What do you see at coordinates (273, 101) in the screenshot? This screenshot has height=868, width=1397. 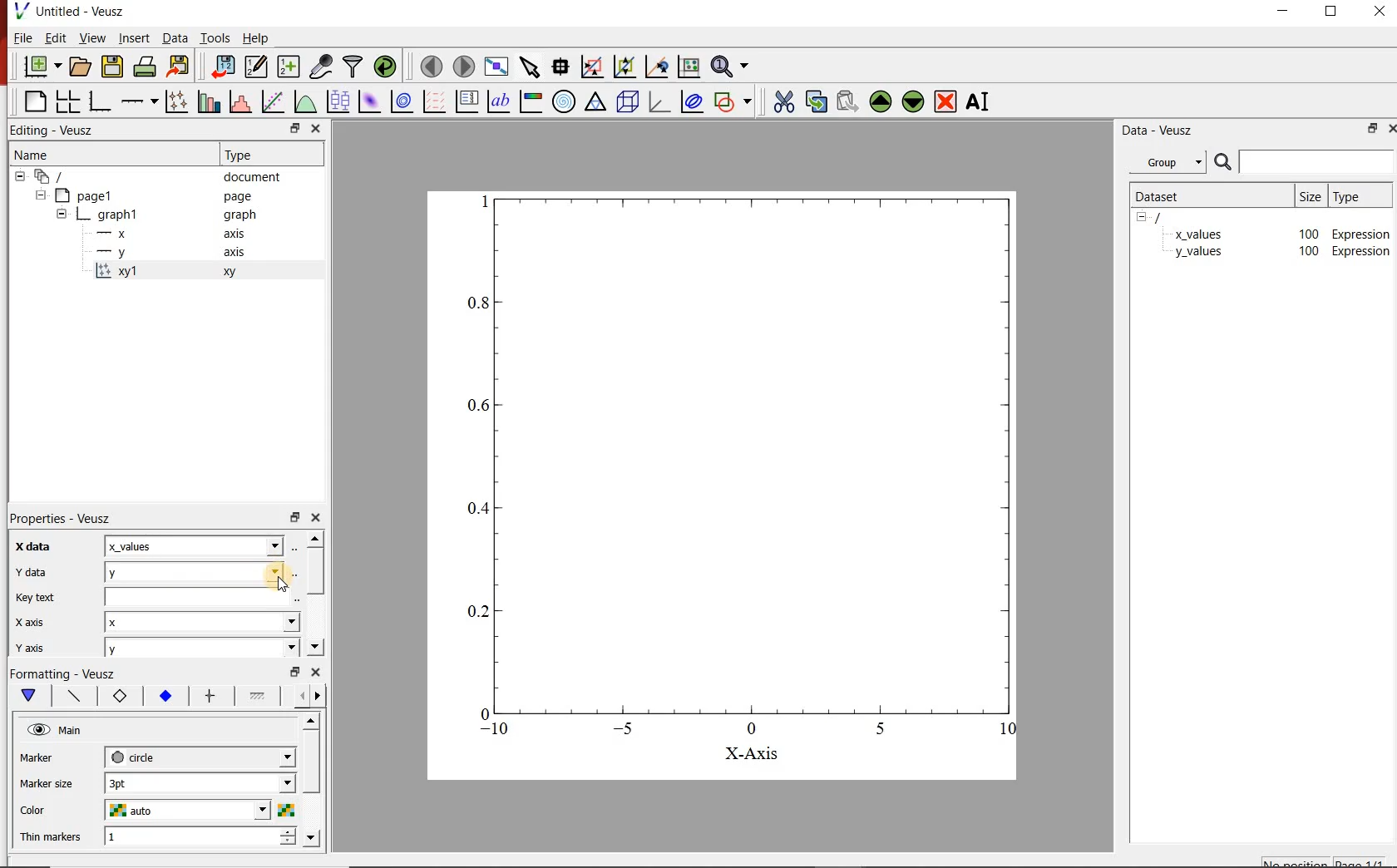 I see `fit a function to a data` at bounding box center [273, 101].